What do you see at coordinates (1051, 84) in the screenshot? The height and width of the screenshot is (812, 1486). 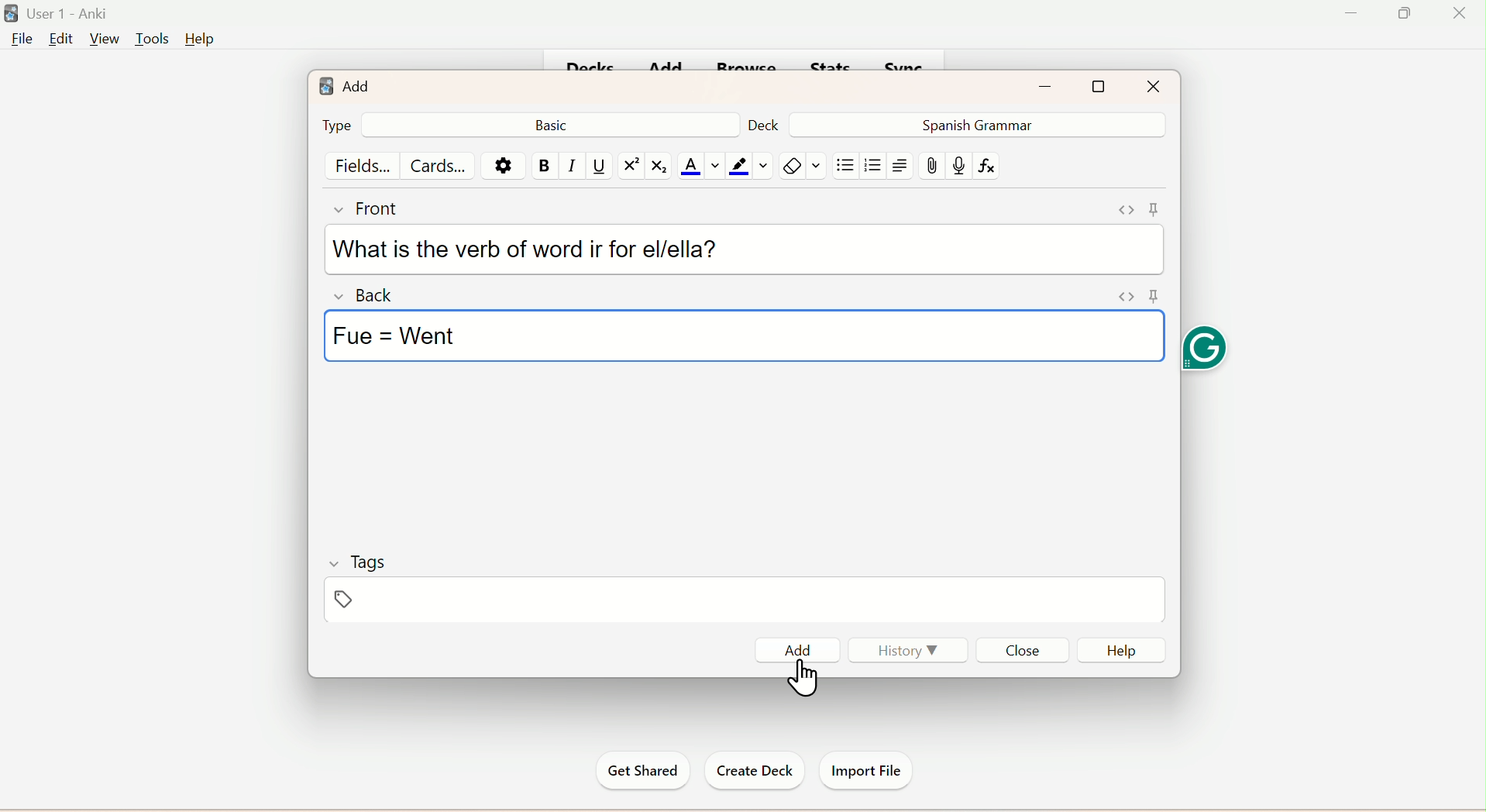 I see `Minimize` at bounding box center [1051, 84].